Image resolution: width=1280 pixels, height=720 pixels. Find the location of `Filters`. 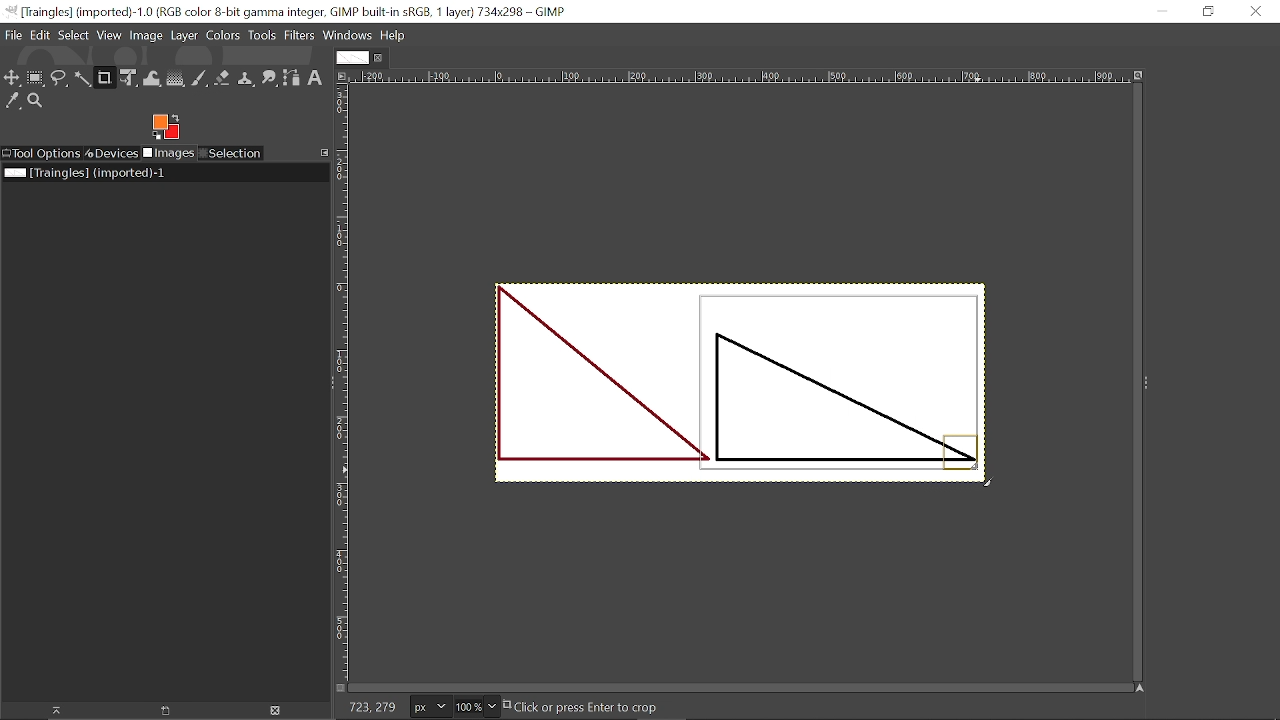

Filters is located at coordinates (299, 36).